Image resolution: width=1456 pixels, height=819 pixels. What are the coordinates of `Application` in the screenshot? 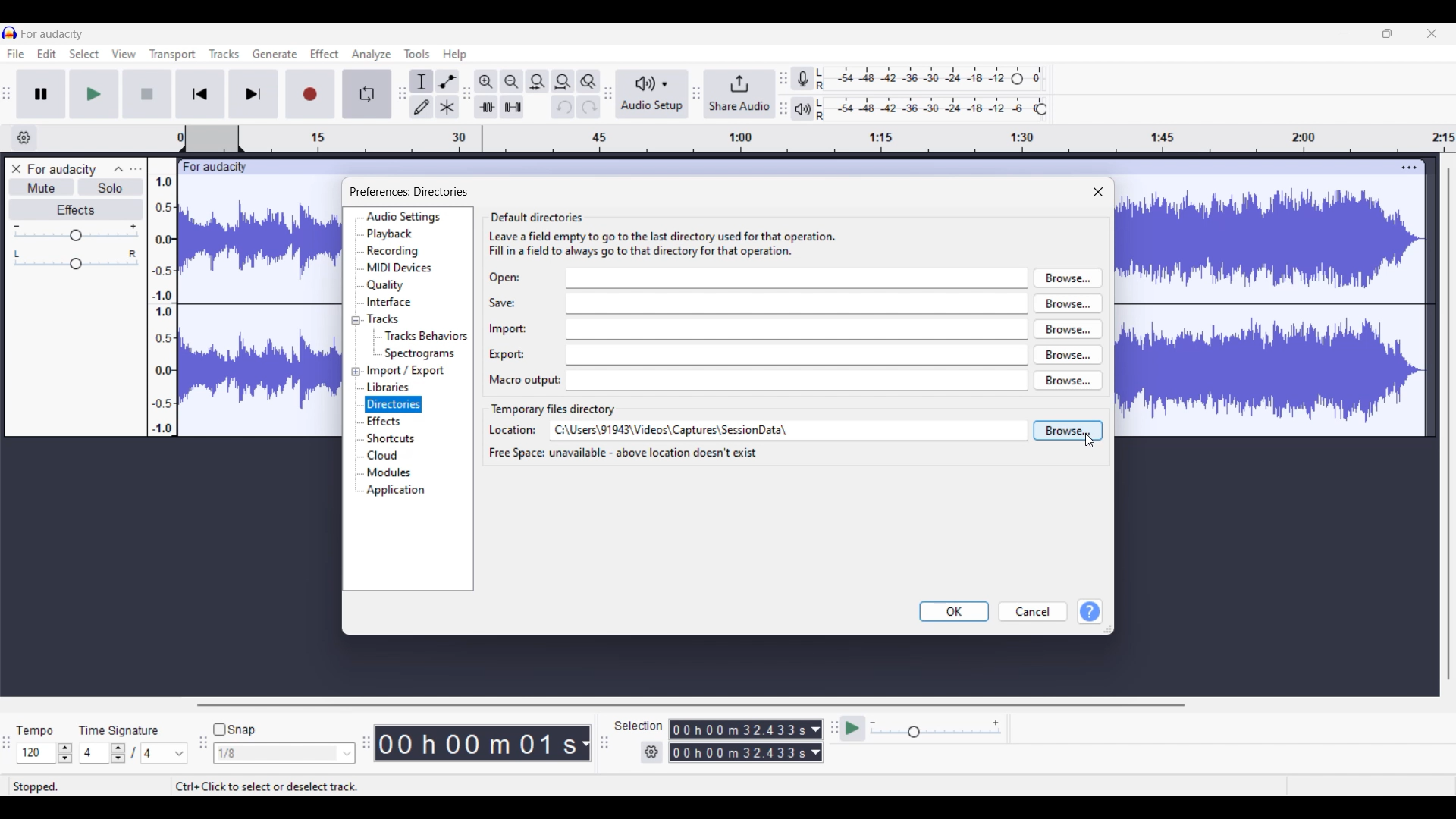 It's located at (395, 491).